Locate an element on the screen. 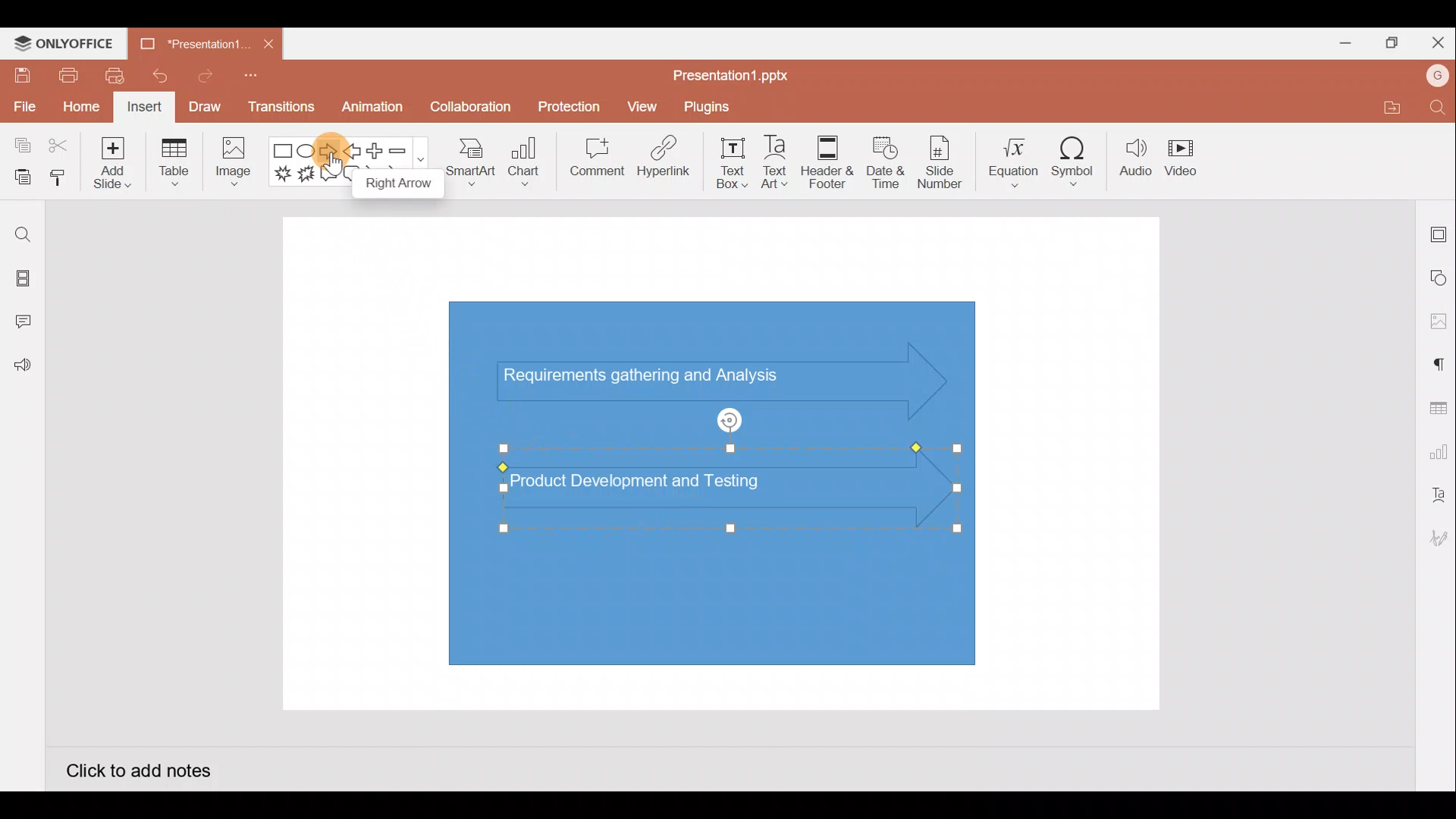  View is located at coordinates (645, 103).